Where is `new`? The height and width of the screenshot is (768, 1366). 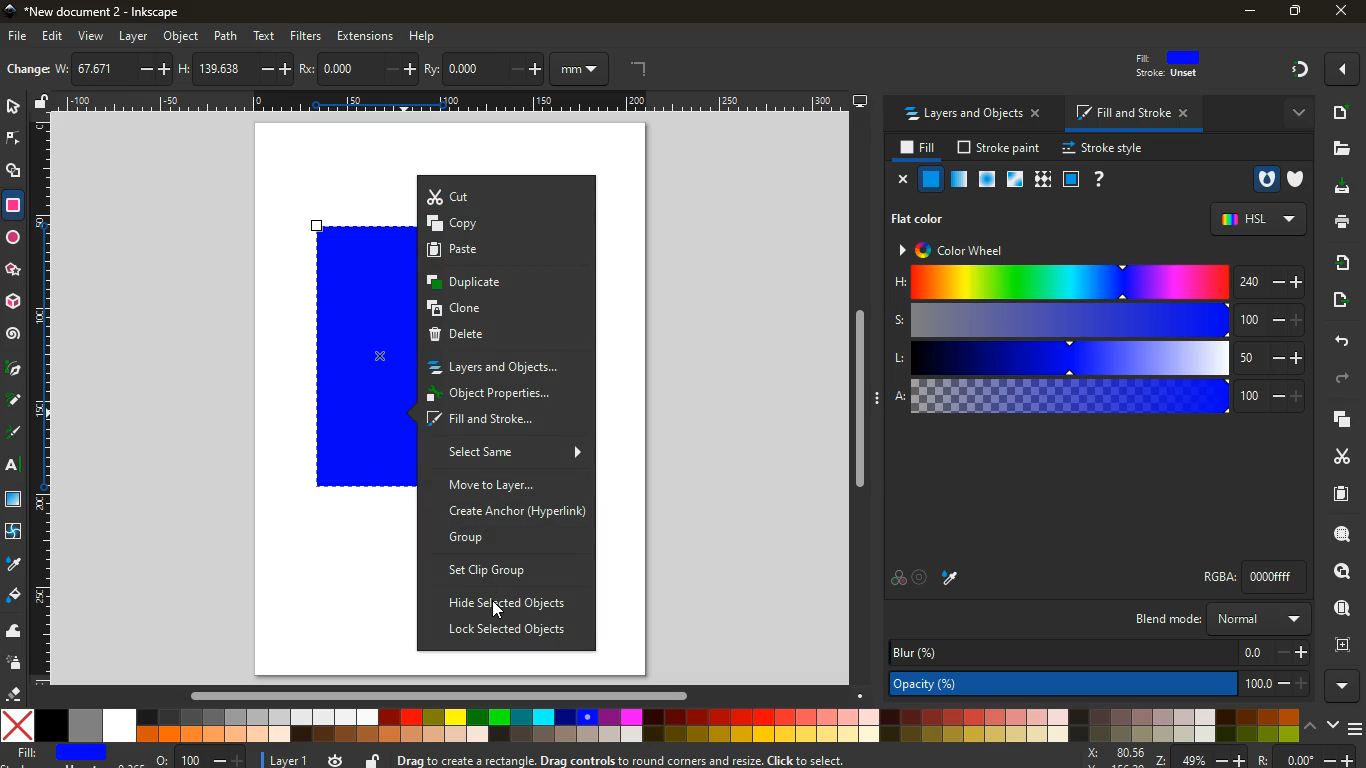 new is located at coordinates (27, 71).